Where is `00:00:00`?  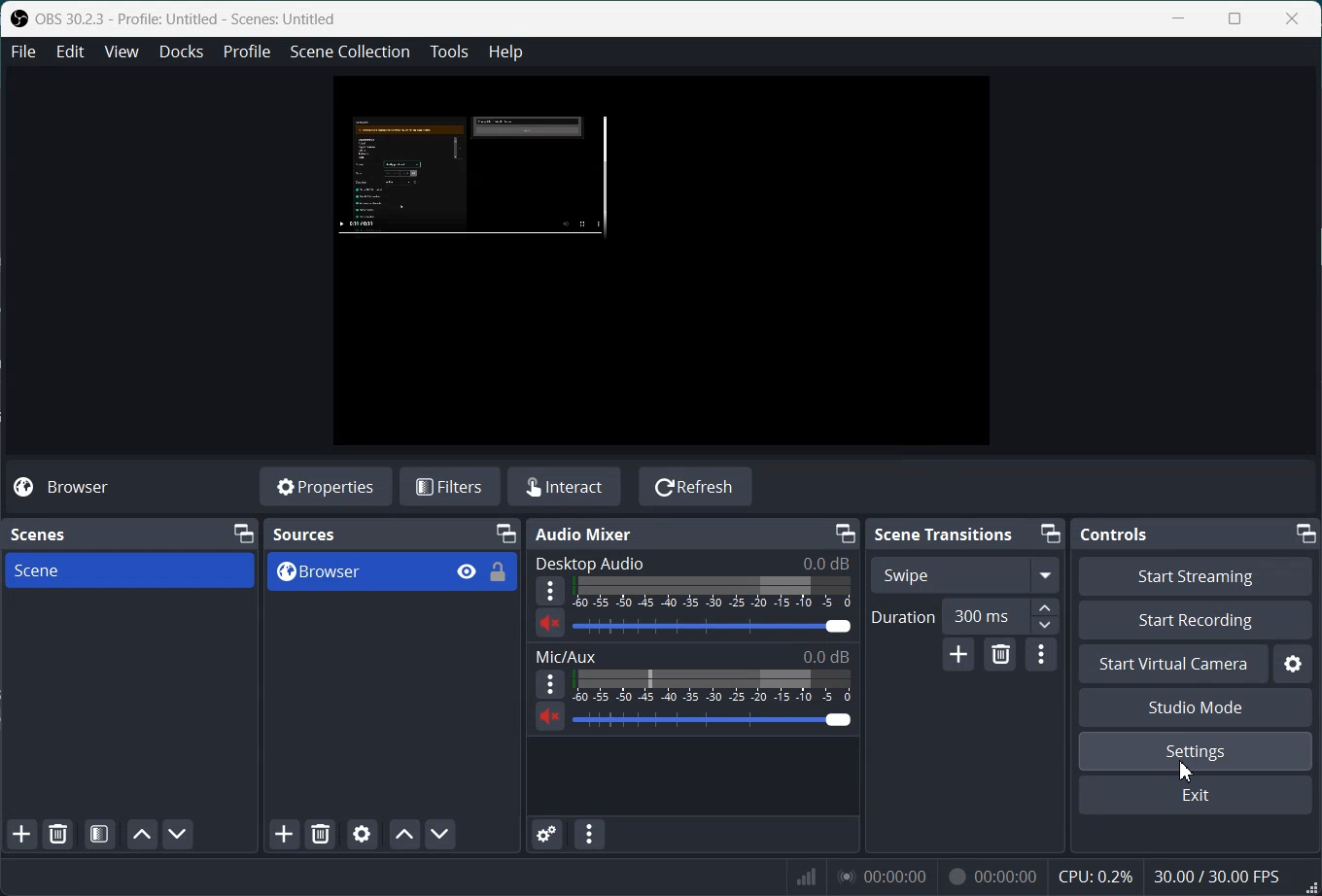
00:00:00 is located at coordinates (883, 876).